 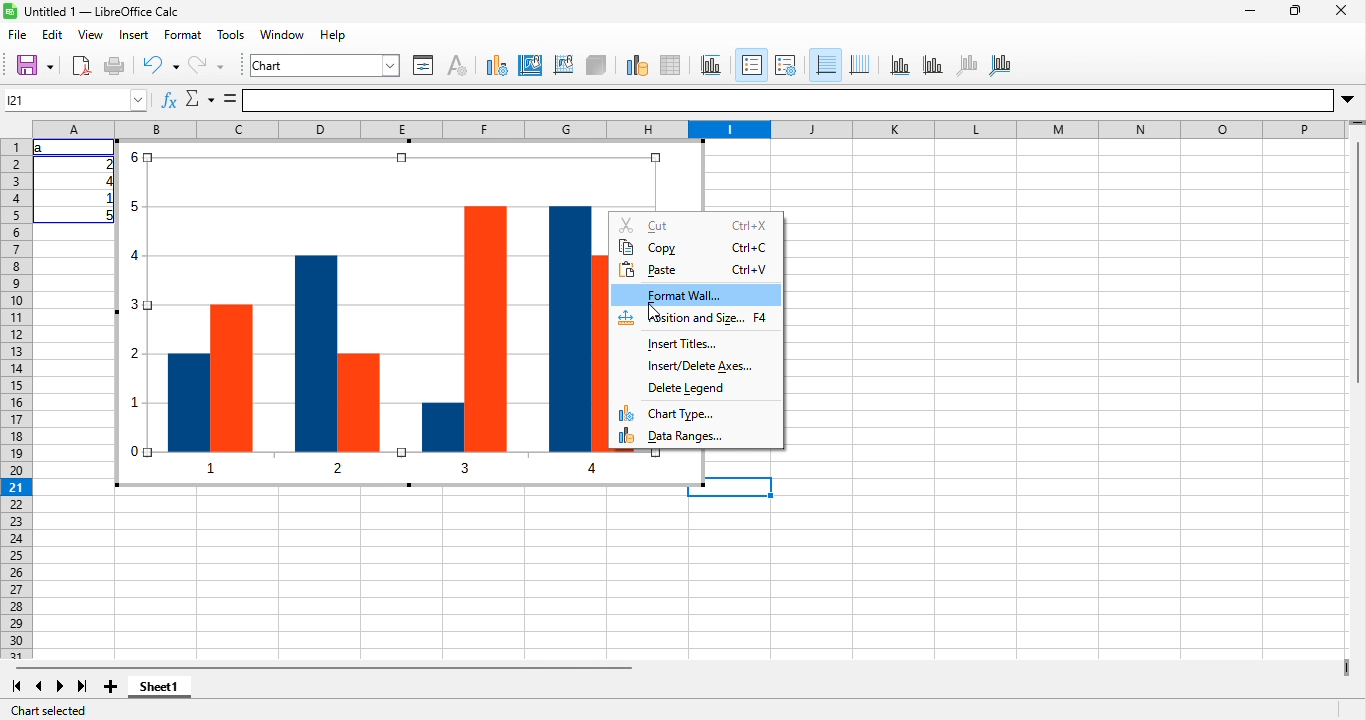 What do you see at coordinates (596, 67) in the screenshot?
I see `3d view` at bounding box center [596, 67].